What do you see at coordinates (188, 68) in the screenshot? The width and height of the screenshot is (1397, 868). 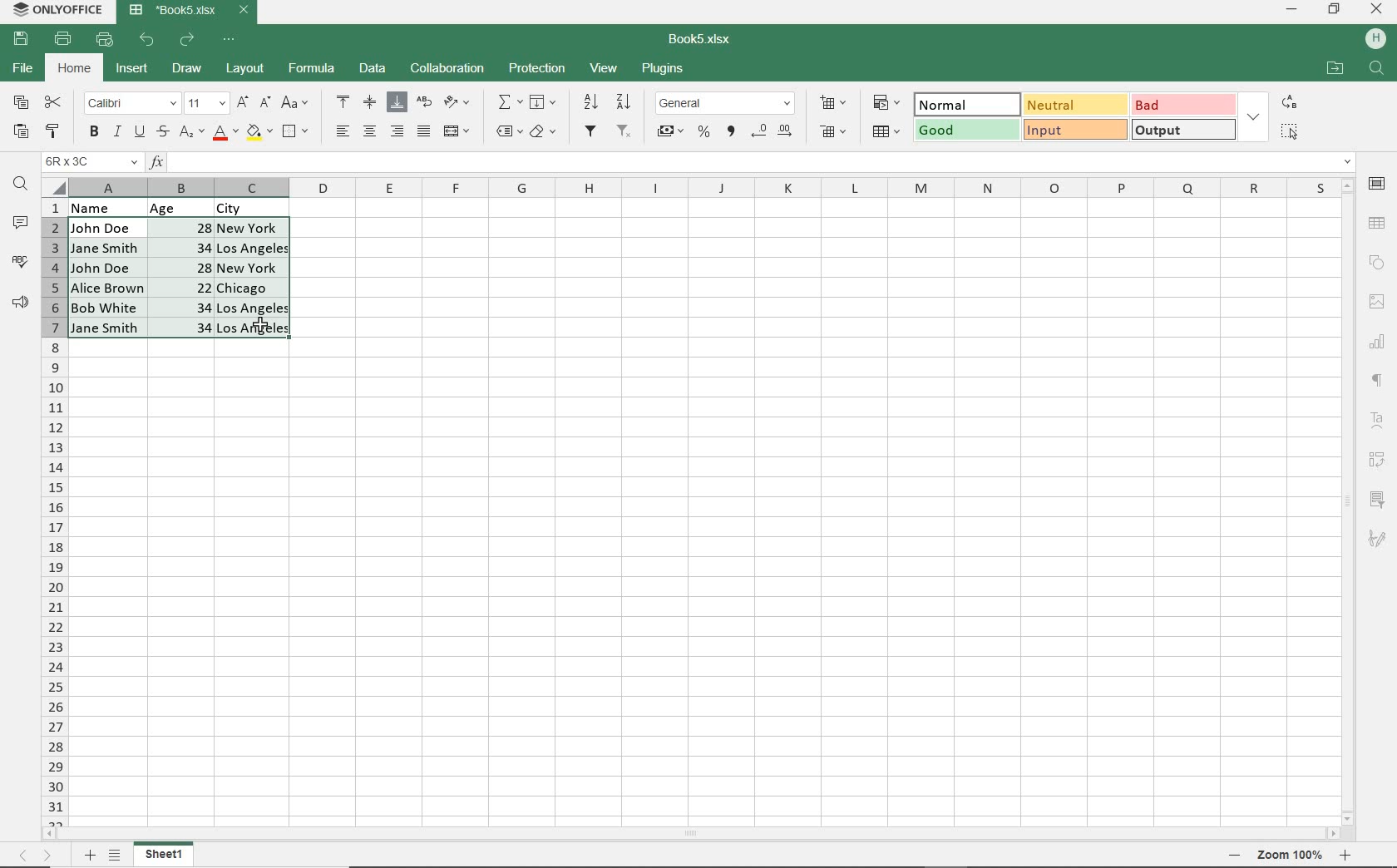 I see `DRAW` at bounding box center [188, 68].